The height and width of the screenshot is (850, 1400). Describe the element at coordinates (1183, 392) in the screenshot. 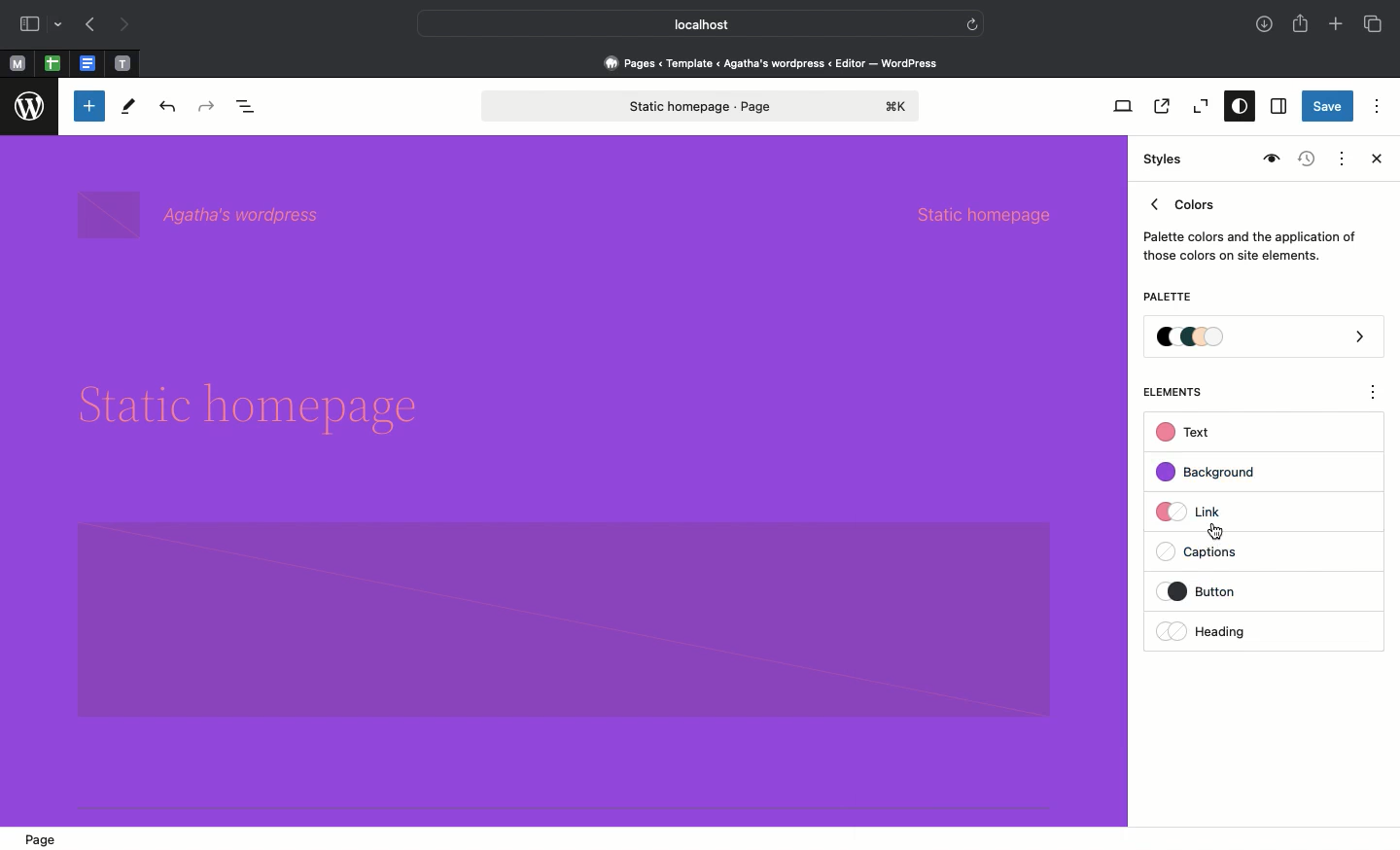

I see `Elements` at that location.